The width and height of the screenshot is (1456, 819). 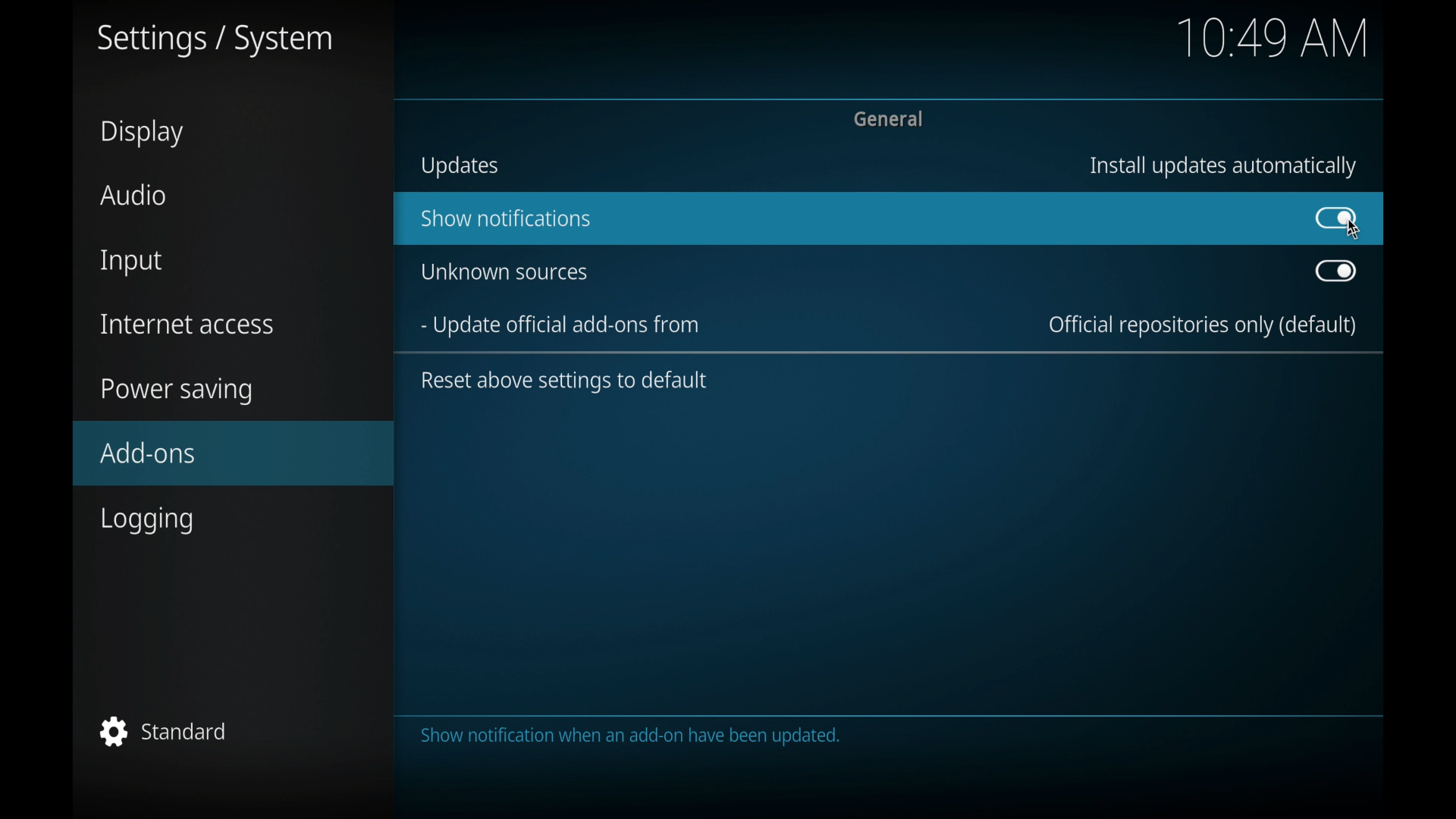 What do you see at coordinates (1223, 168) in the screenshot?
I see `install updates automatically` at bounding box center [1223, 168].